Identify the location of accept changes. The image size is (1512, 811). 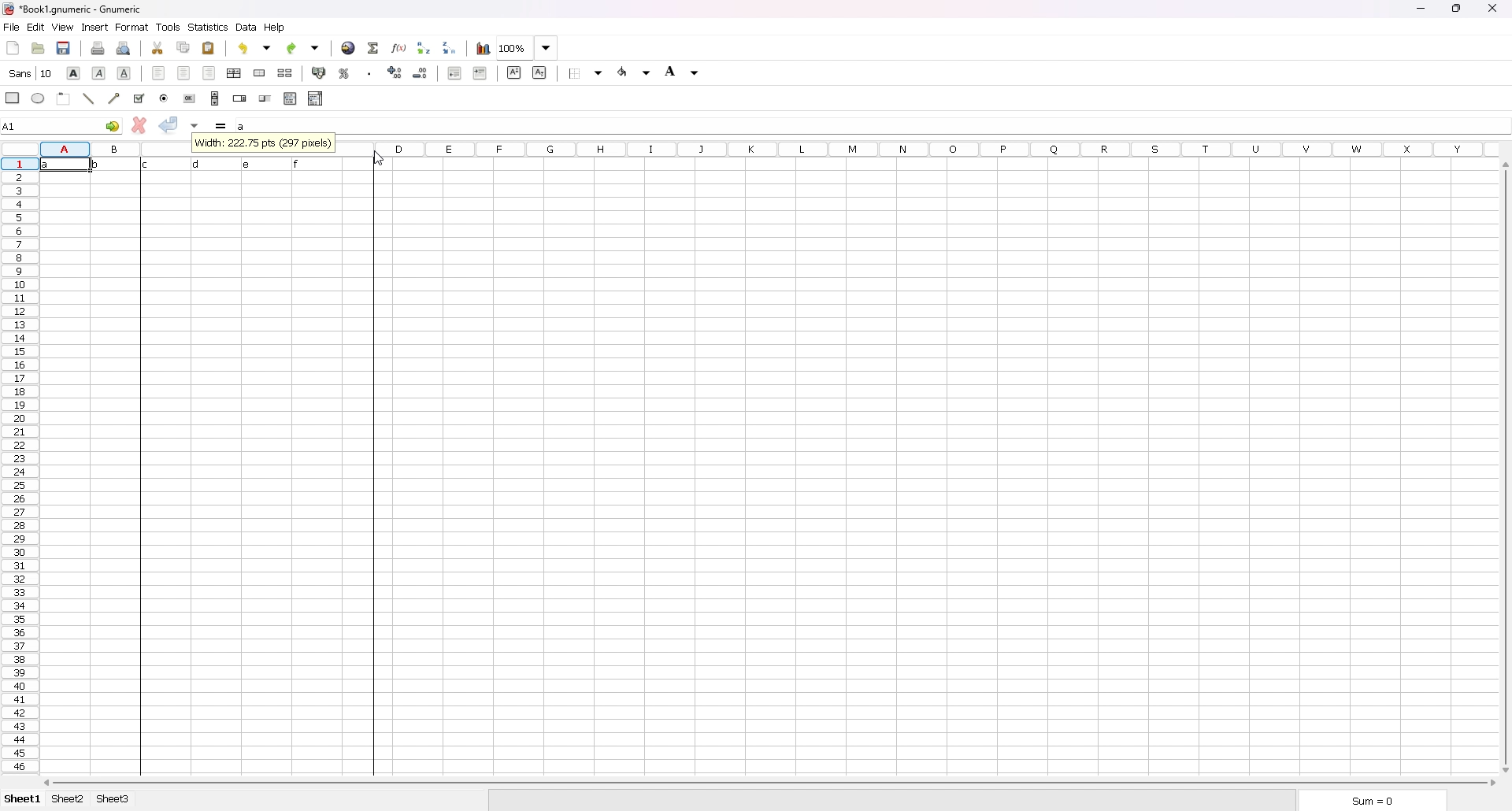
(169, 125).